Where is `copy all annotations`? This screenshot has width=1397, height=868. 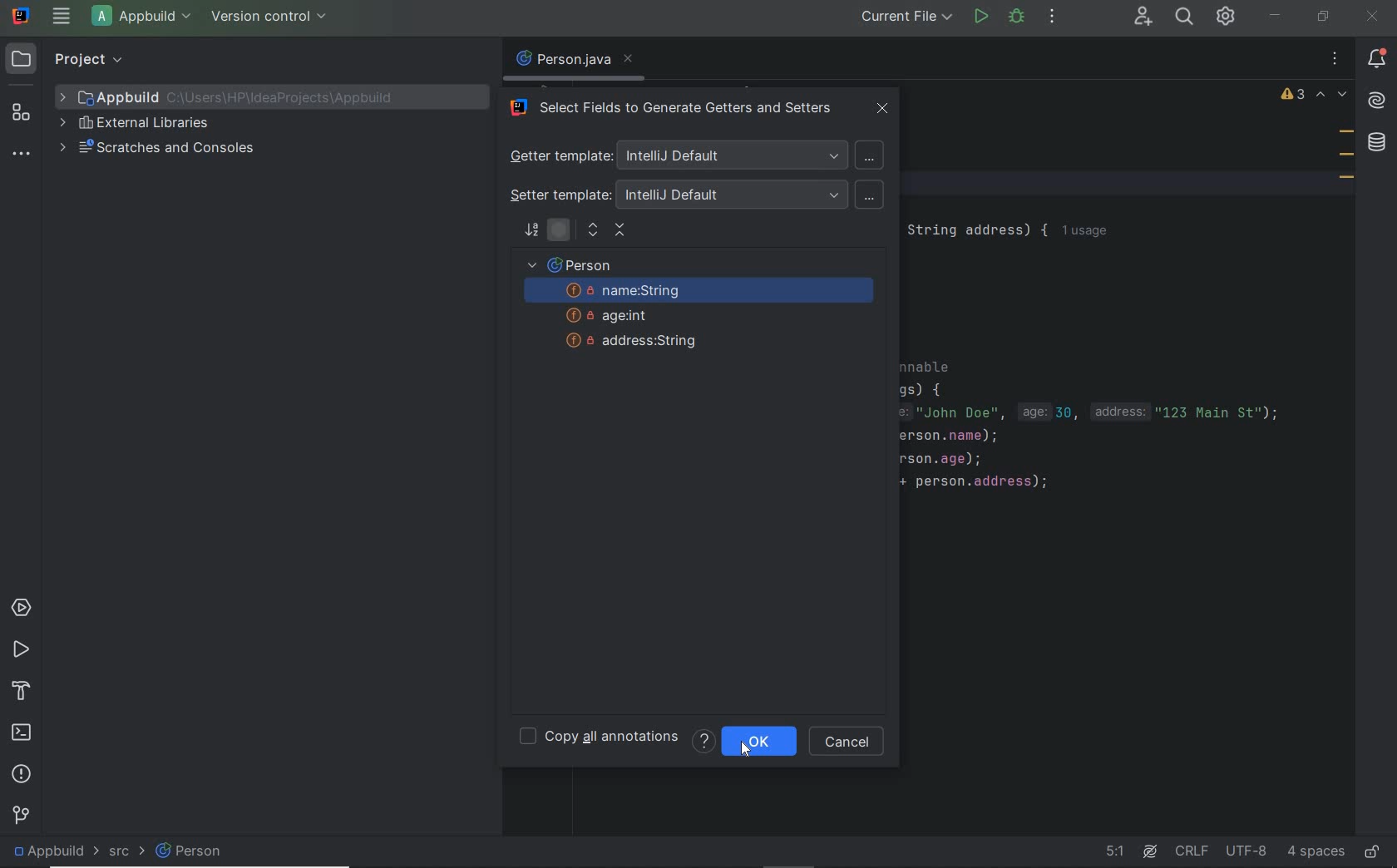
copy all annotations is located at coordinates (599, 738).